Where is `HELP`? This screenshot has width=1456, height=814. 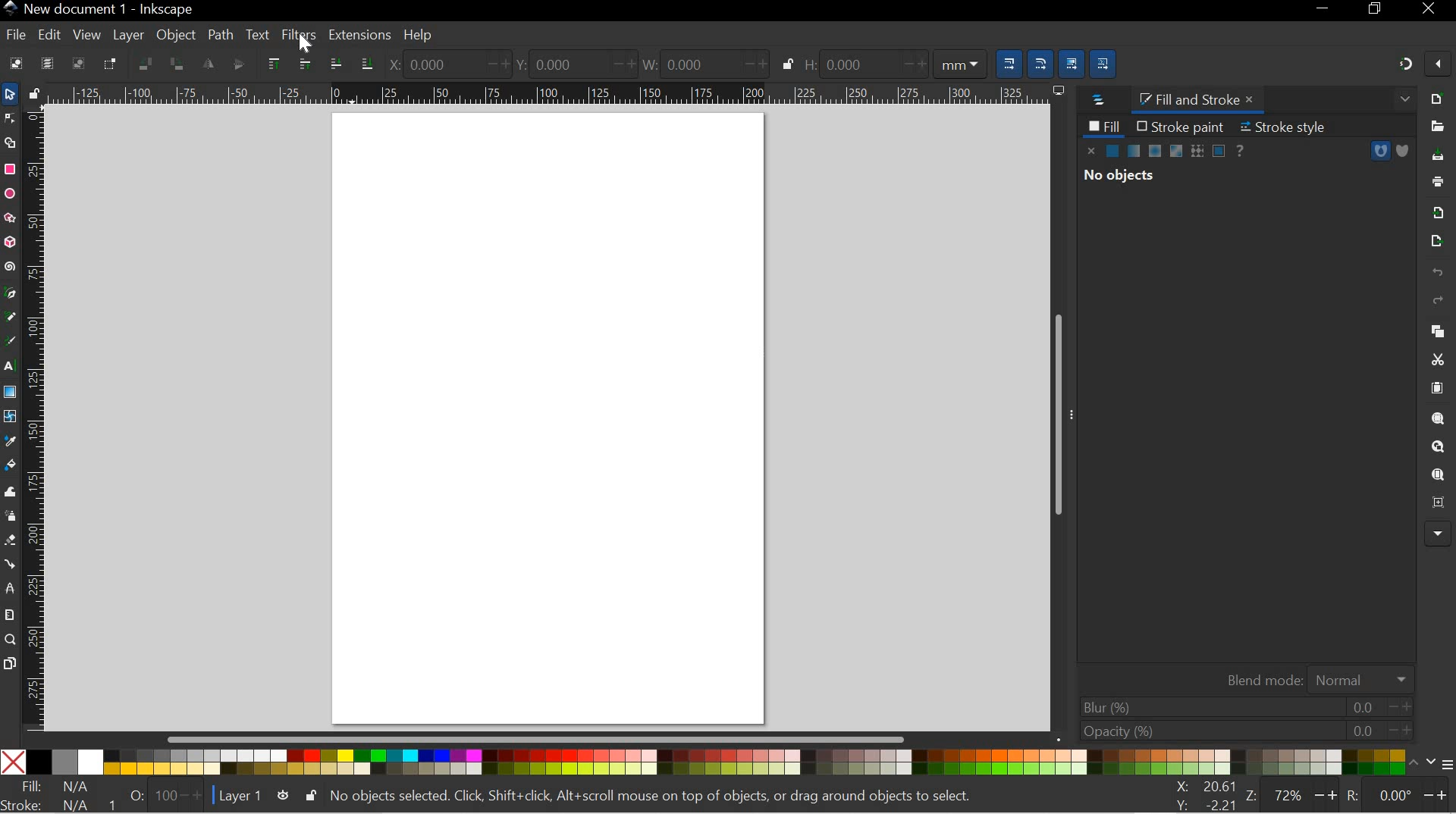
HELP is located at coordinates (419, 36).